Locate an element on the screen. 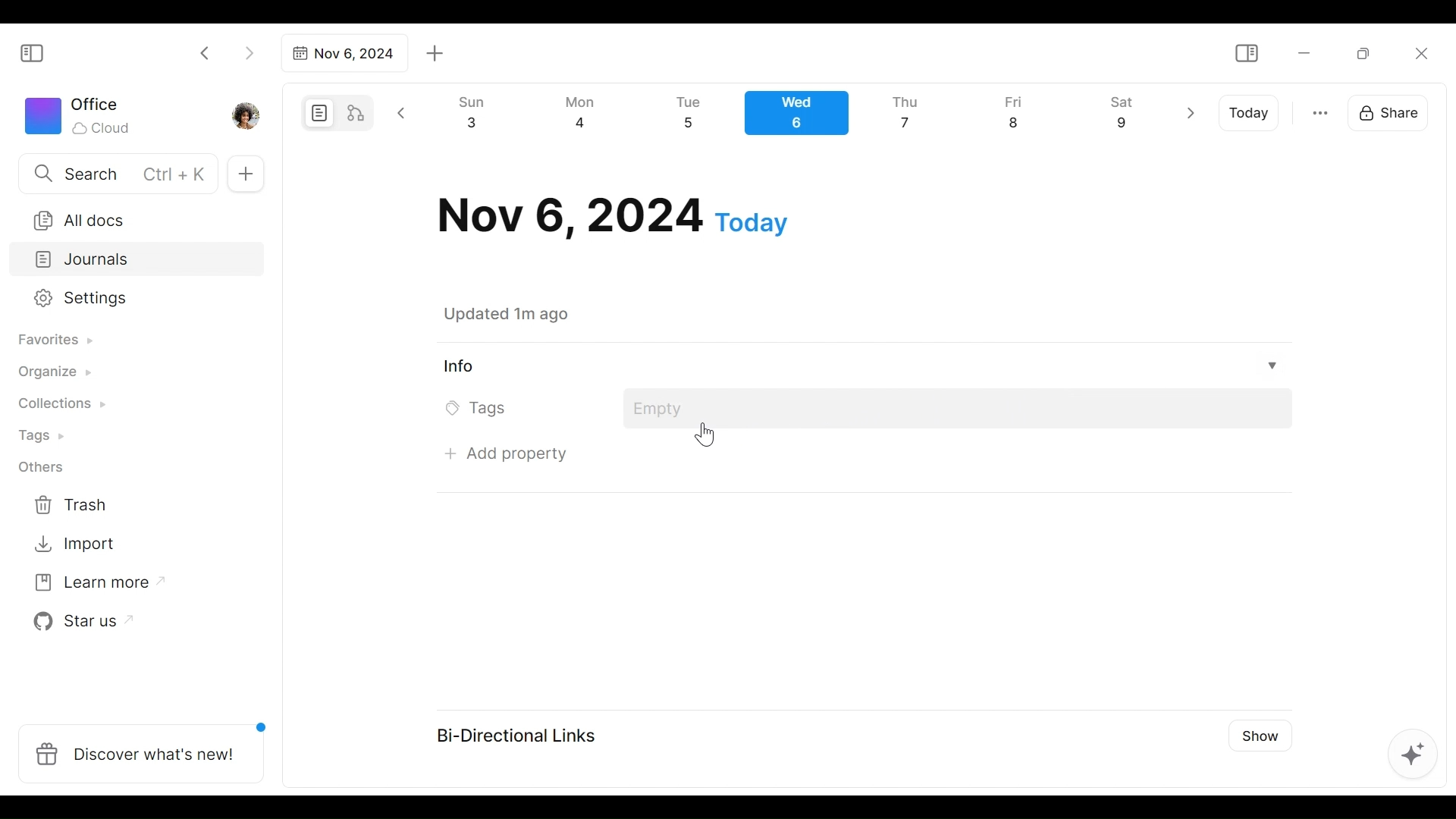 The width and height of the screenshot is (1456, 819). Organize is located at coordinates (53, 373).